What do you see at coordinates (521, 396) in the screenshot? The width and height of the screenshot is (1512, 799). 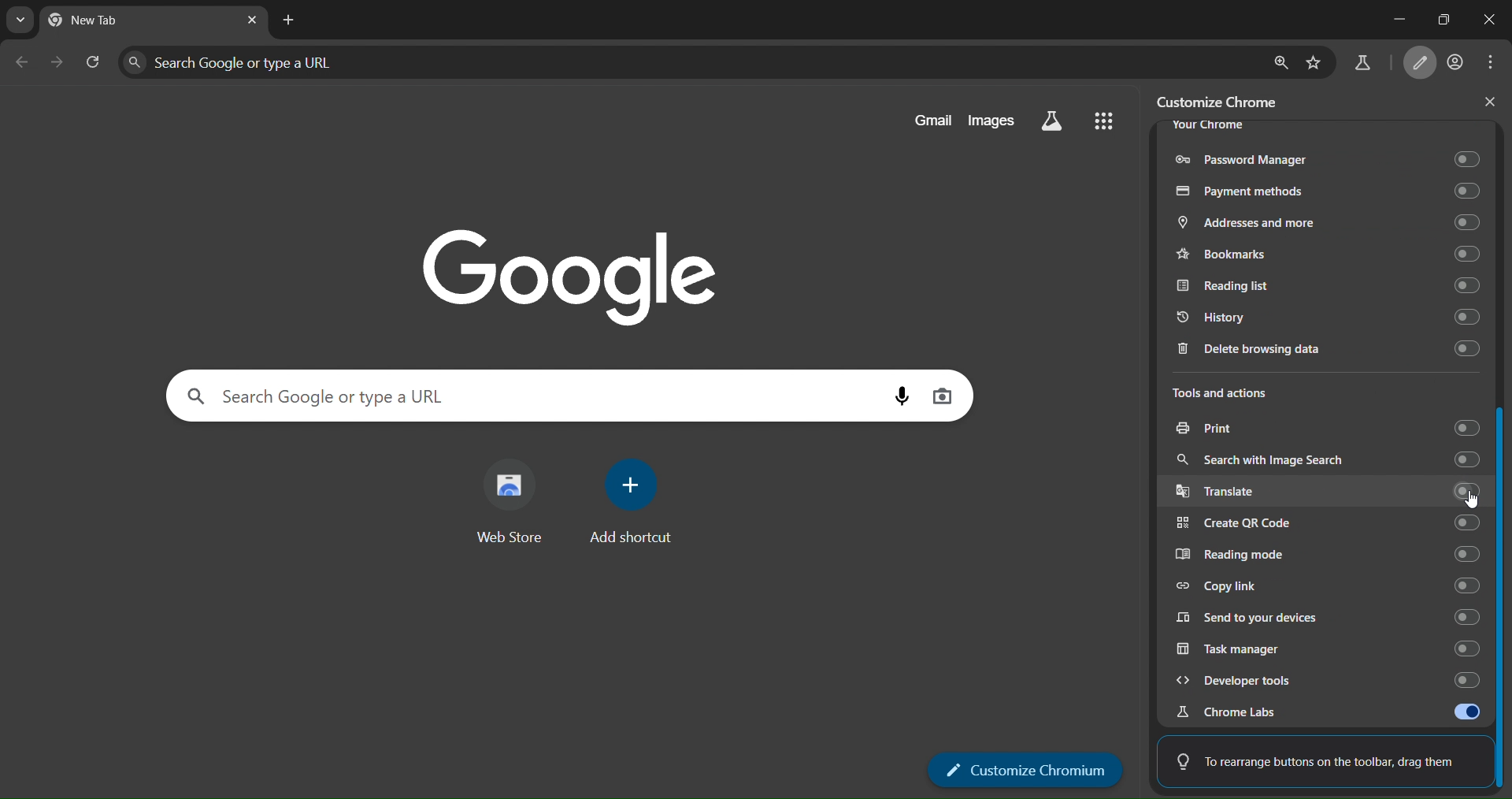 I see `search panel` at bounding box center [521, 396].